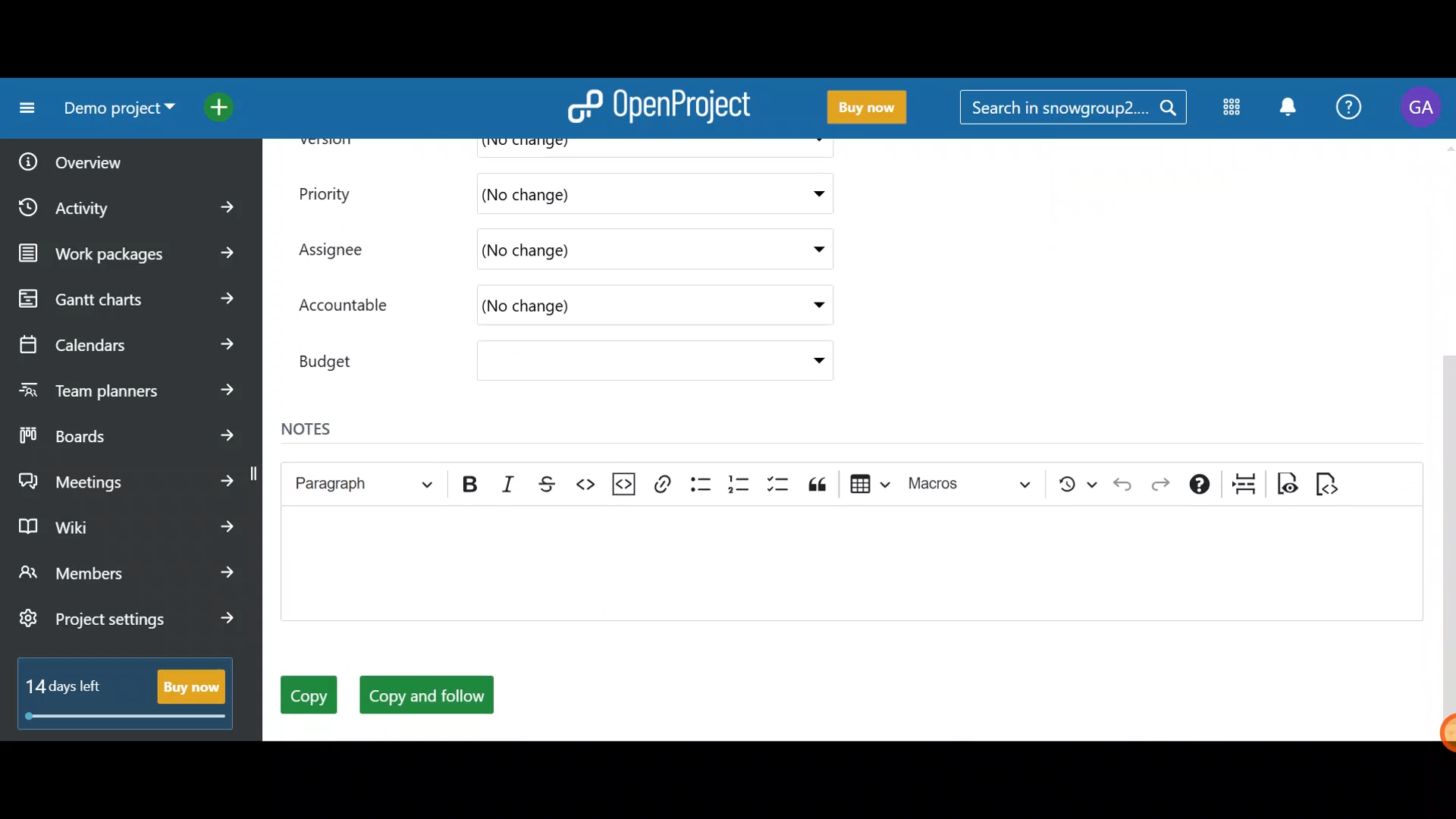 This screenshot has height=819, width=1456. I want to click on Accountable drop down, so click(813, 306).